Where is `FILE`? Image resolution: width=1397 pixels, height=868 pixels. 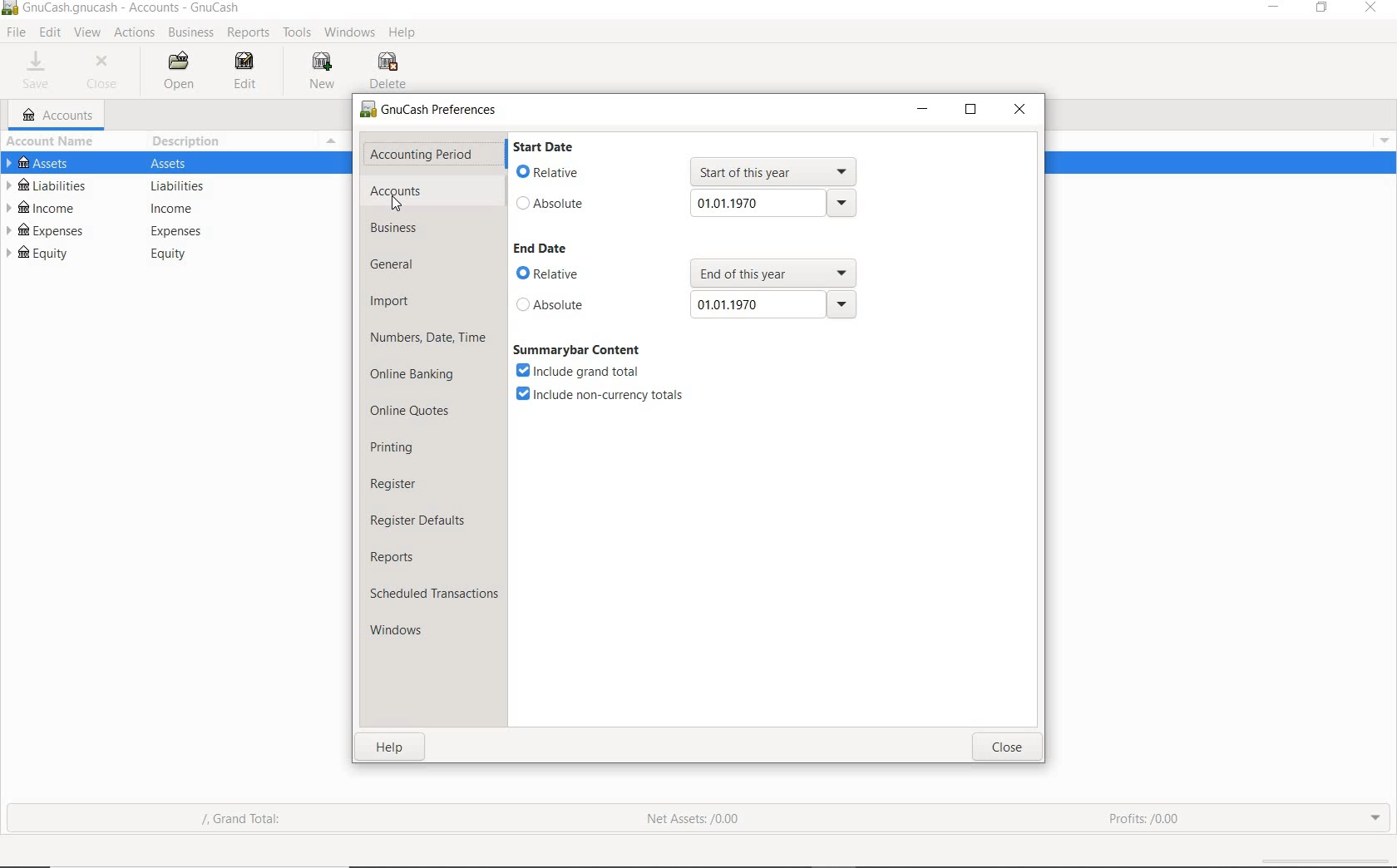 FILE is located at coordinates (15, 33).